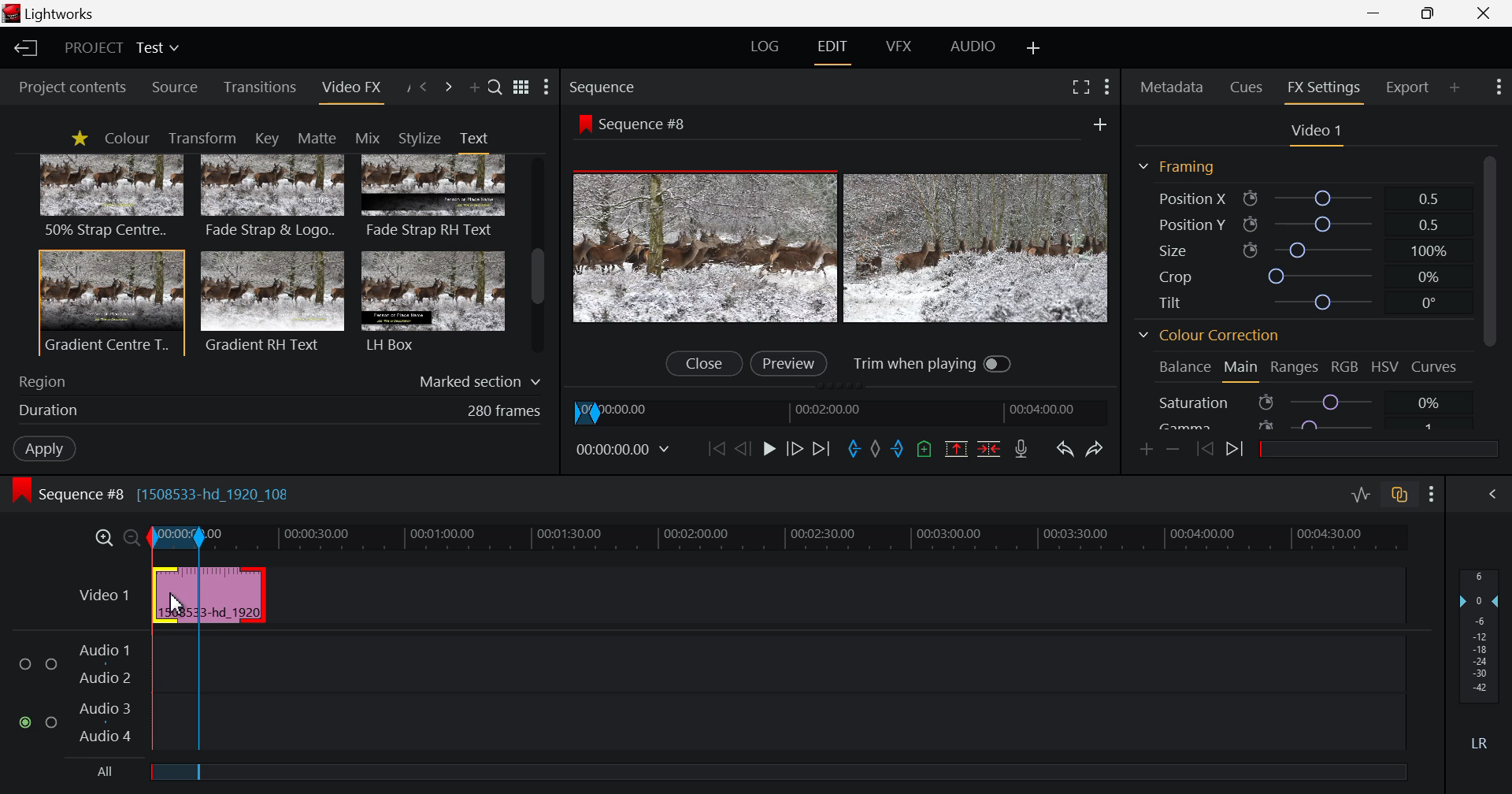 This screenshot has height=794, width=1512. What do you see at coordinates (823, 448) in the screenshot?
I see `To End` at bounding box center [823, 448].